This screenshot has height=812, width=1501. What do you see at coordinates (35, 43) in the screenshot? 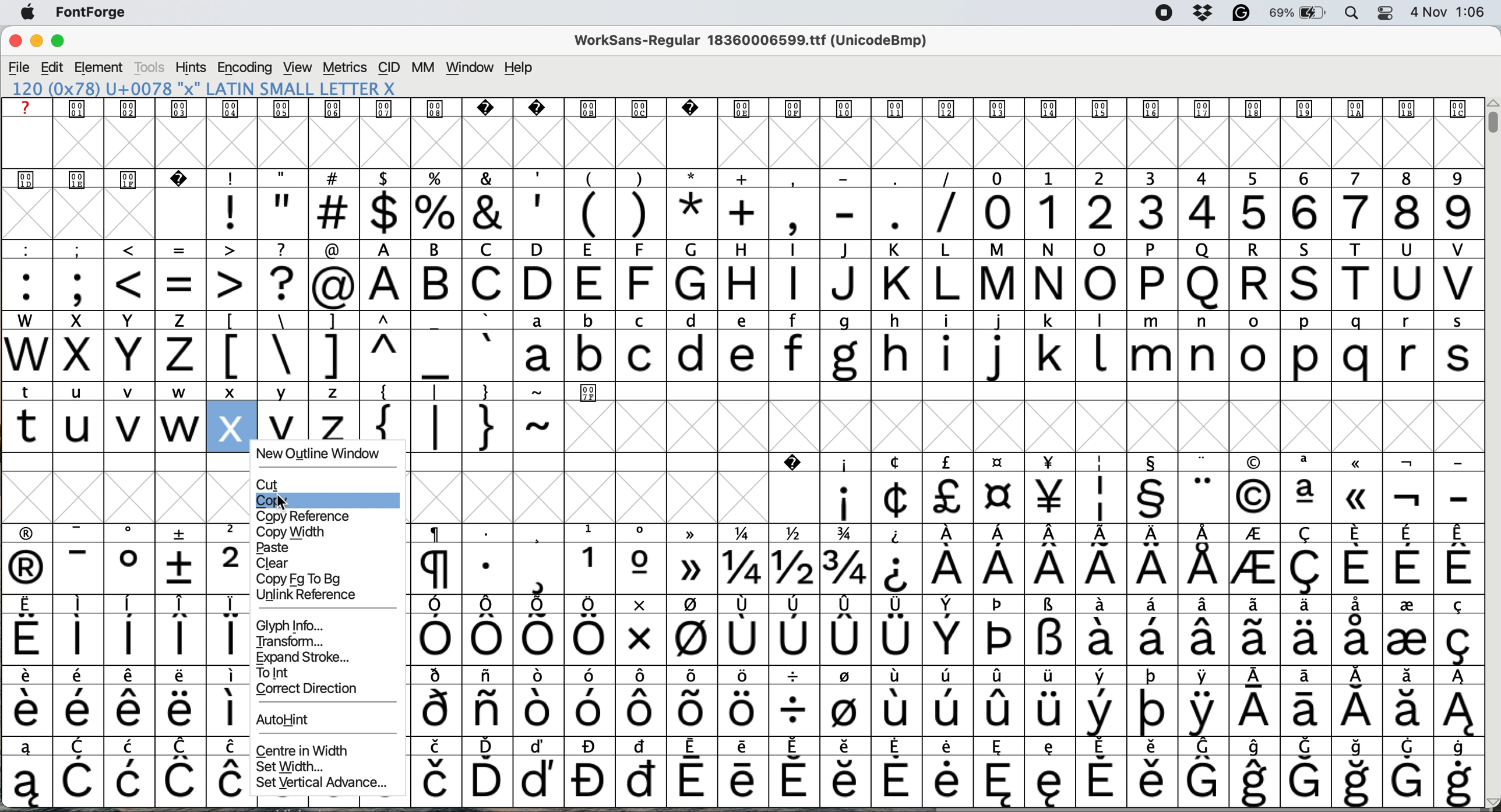
I see `minimise` at bounding box center [35, 43].